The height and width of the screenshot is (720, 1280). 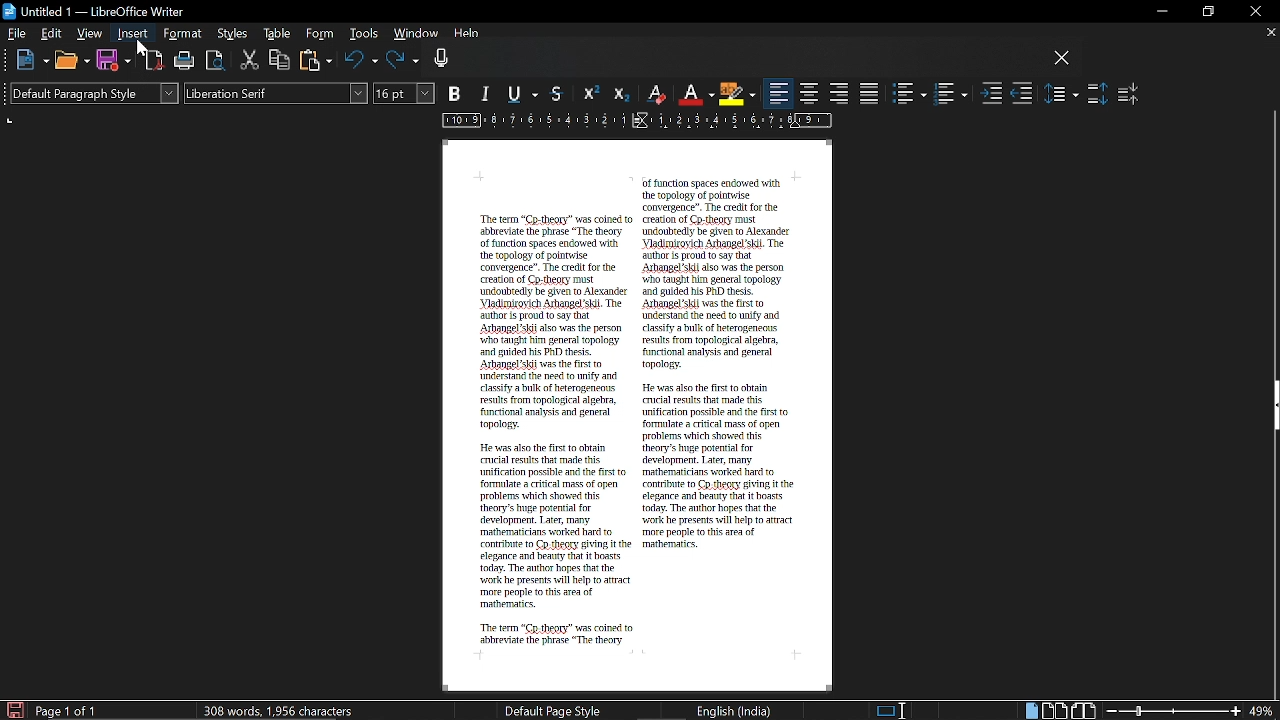 What do you see at coordinates (361, 61) in the screenshot?
I see `Undo` at bounding box center [361, 61].